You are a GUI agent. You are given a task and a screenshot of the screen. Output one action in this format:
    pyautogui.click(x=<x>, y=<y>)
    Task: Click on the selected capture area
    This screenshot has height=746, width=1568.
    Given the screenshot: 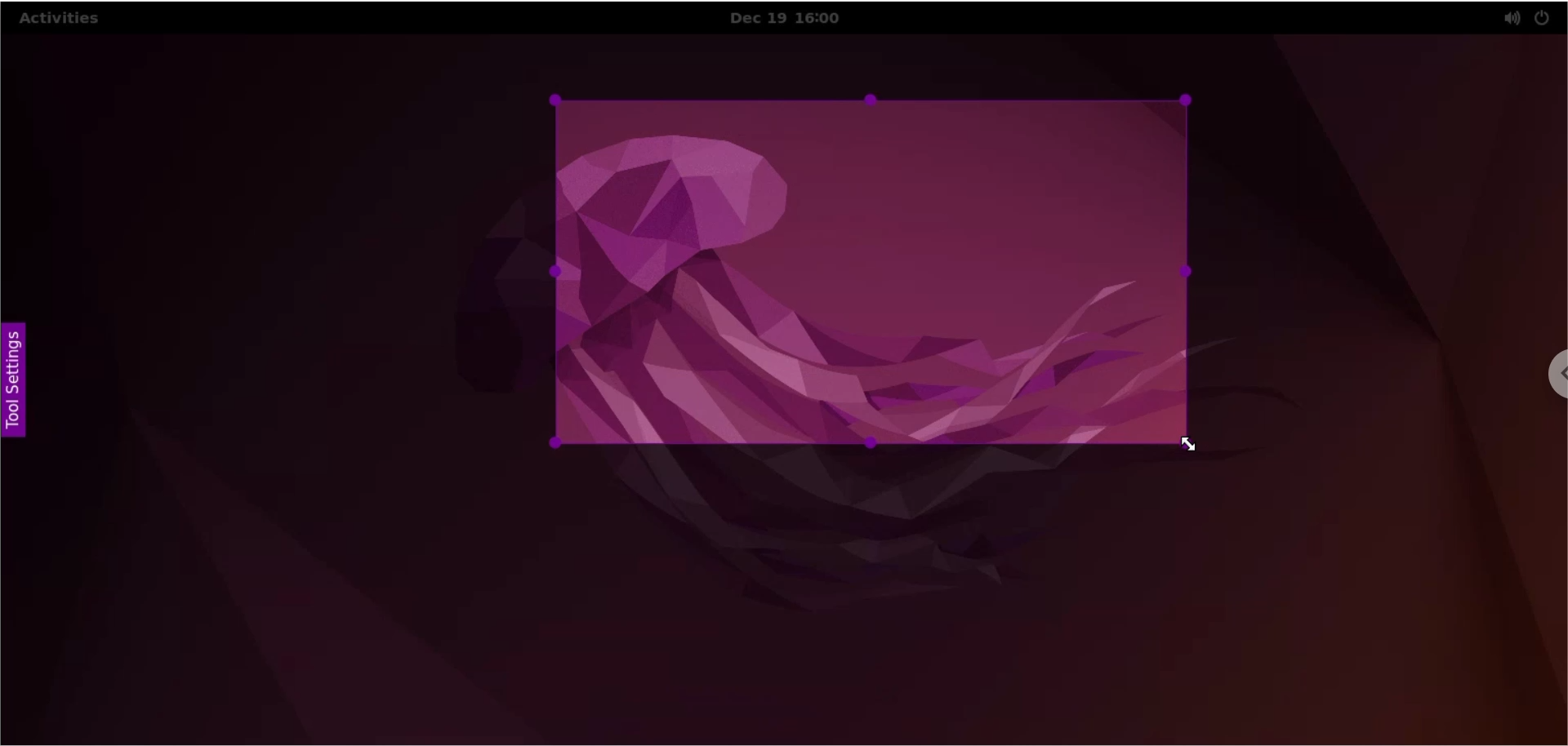 What is the action you would take?
    pyautogui.click(x=874, y=271)
    